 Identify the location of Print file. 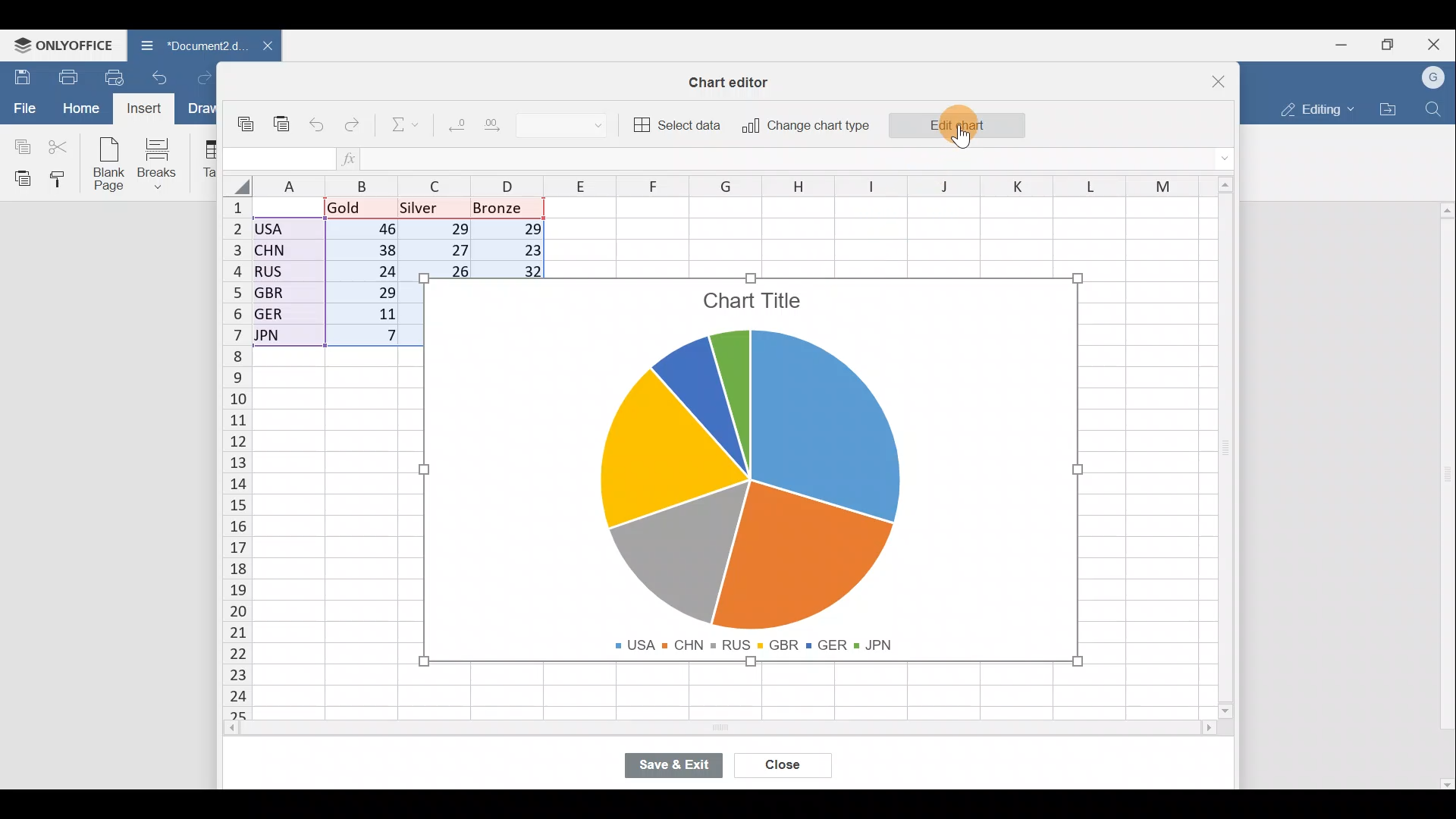
(68, 76).